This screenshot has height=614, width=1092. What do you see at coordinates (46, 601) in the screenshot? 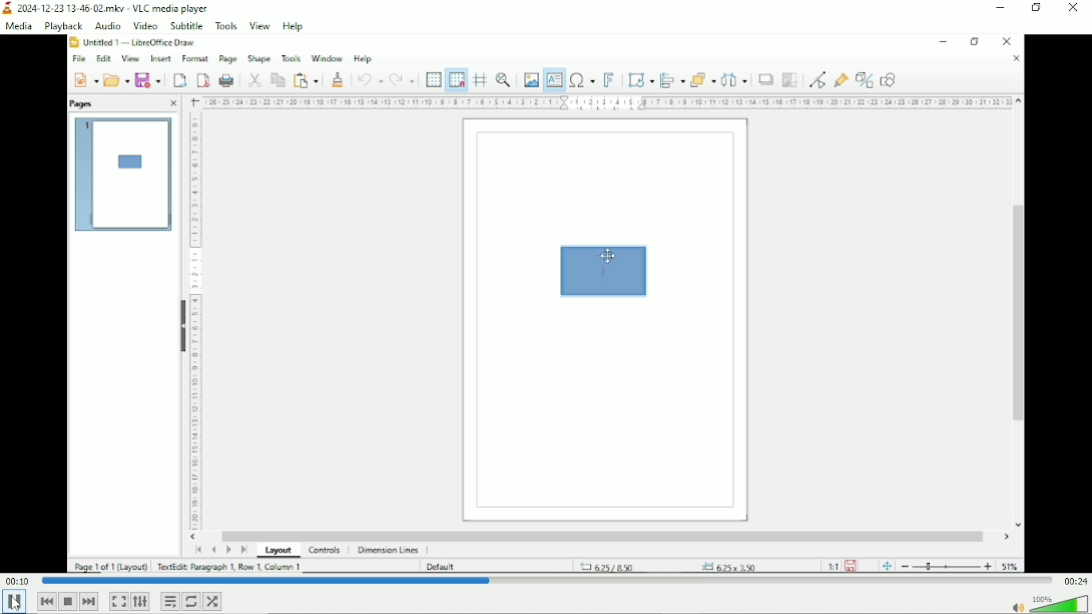
I see `previous` at bounding box center [46, 601].